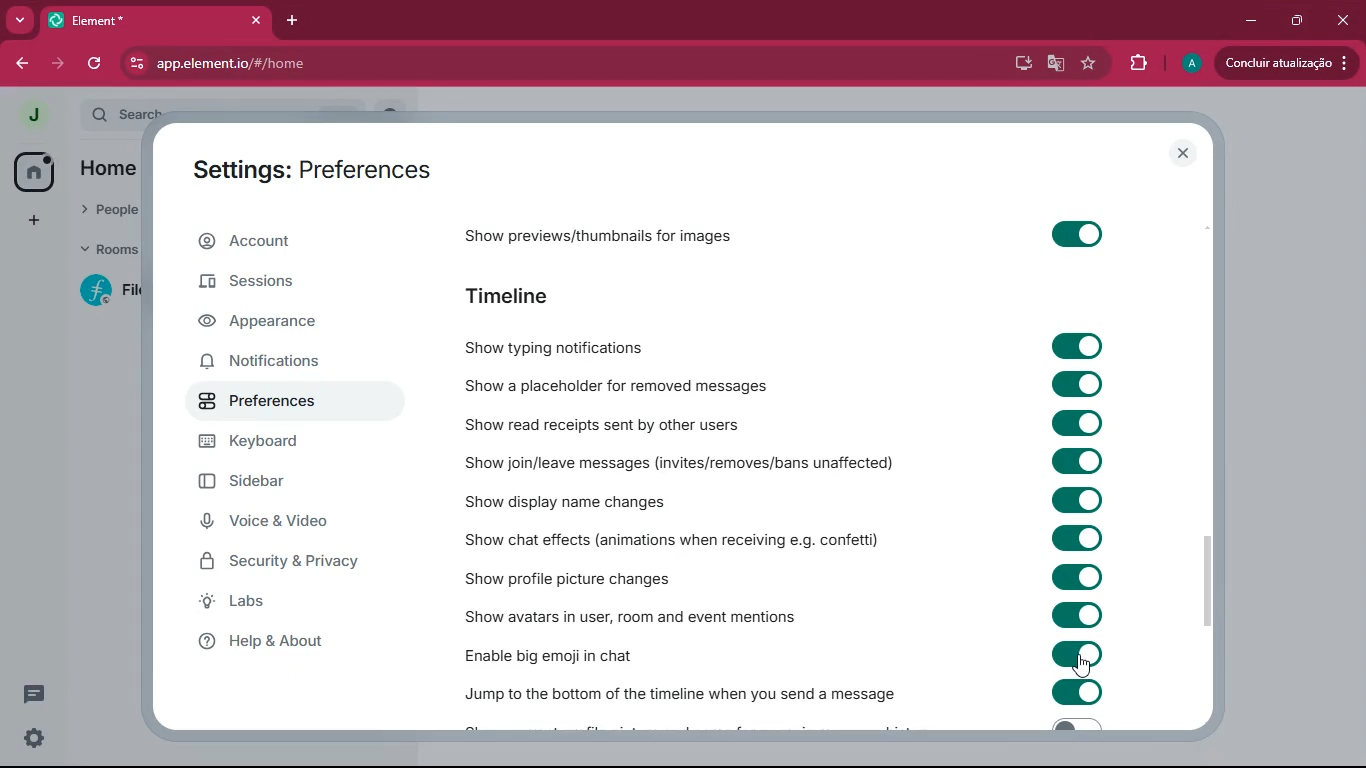 Image resolution: width=1366 pixels, height=768 pixels. Describe the element at coordinates (1076, 422) in the screenshot. I see `toggle on ` at that location.